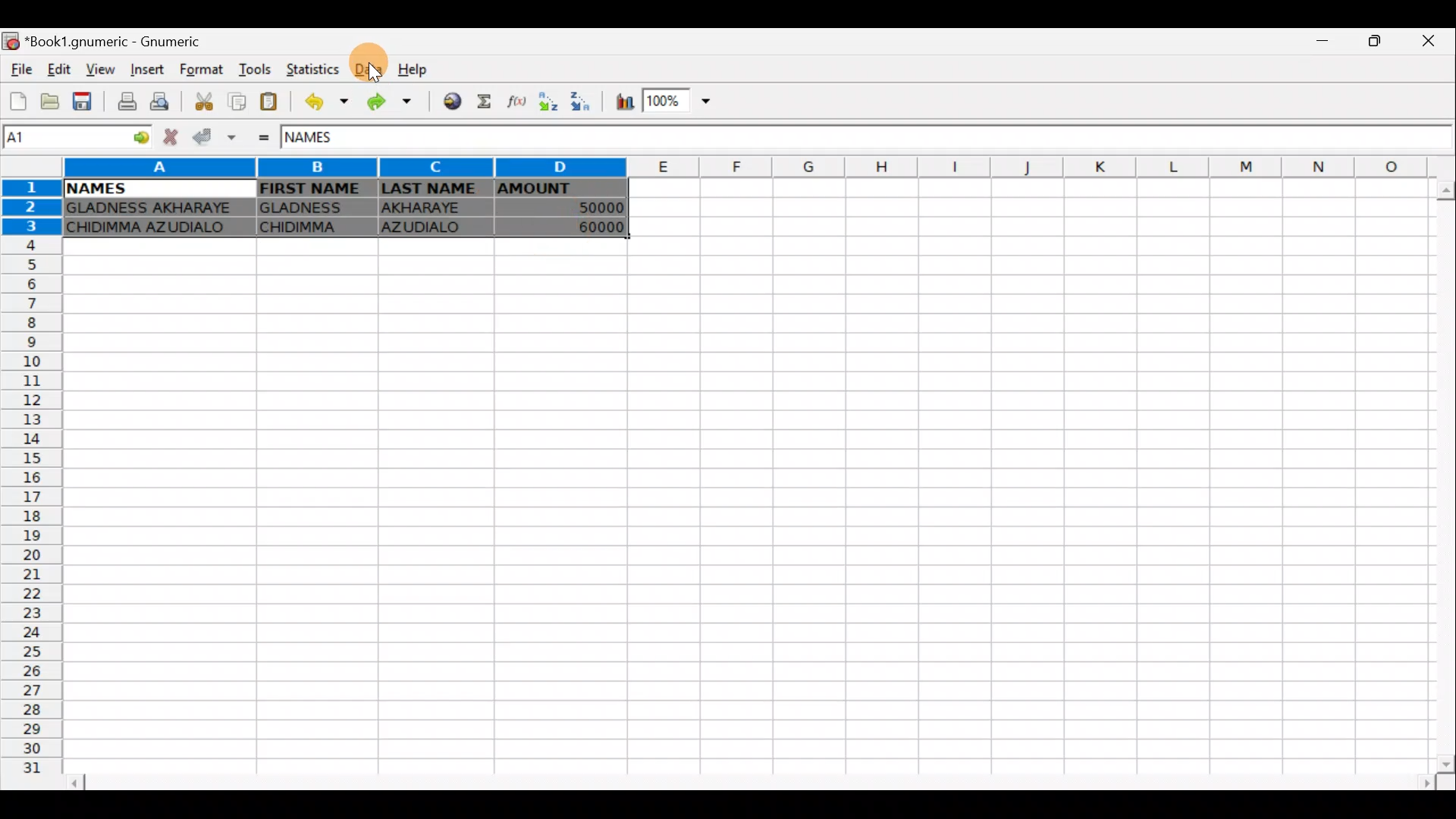 The height and width of the screenshot is (819, 1456). I want to click on Print current file, so click(128, 99).